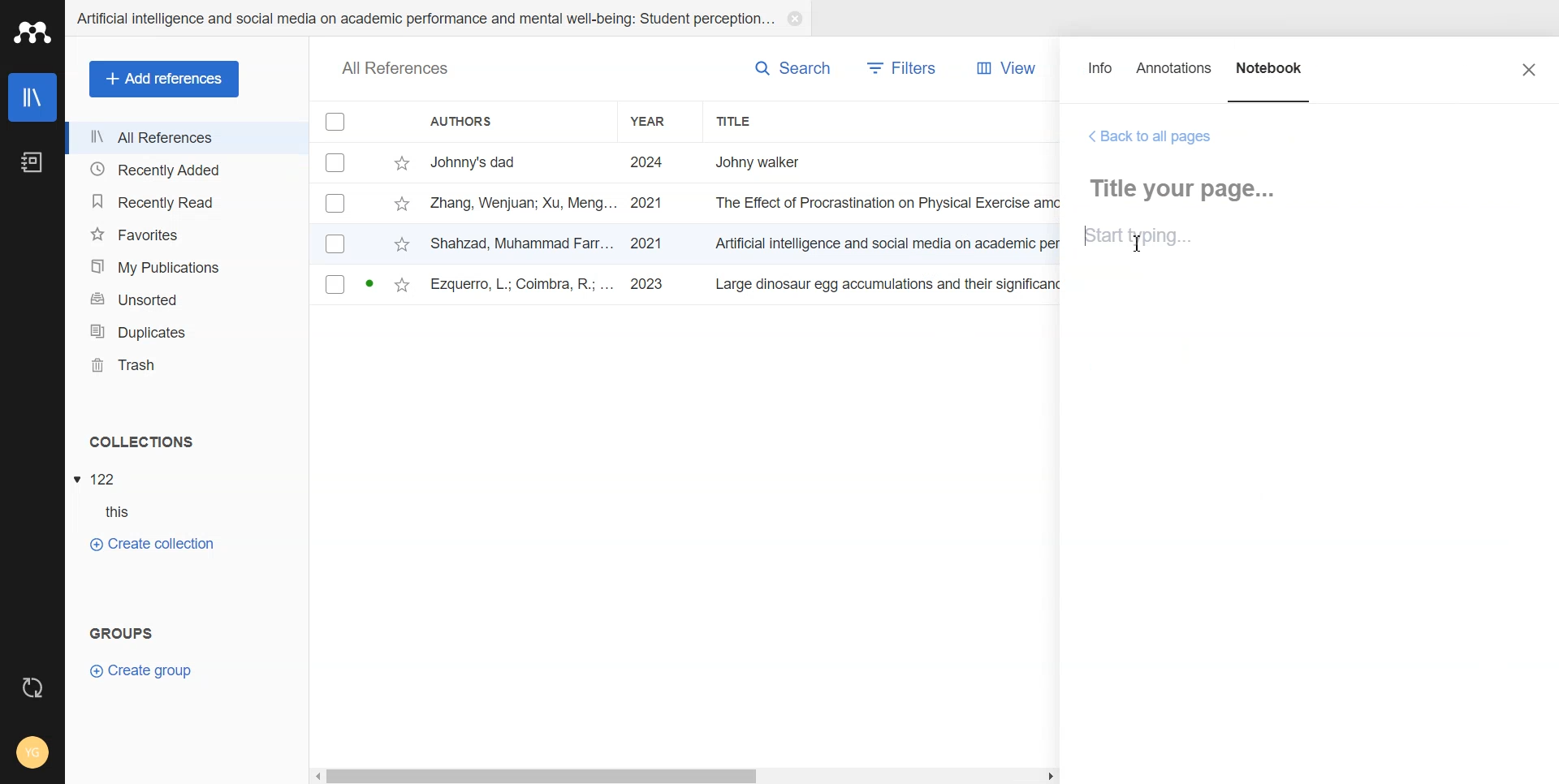 The image size is (1559, 784). I want to click on 2021, so click(646, 243).